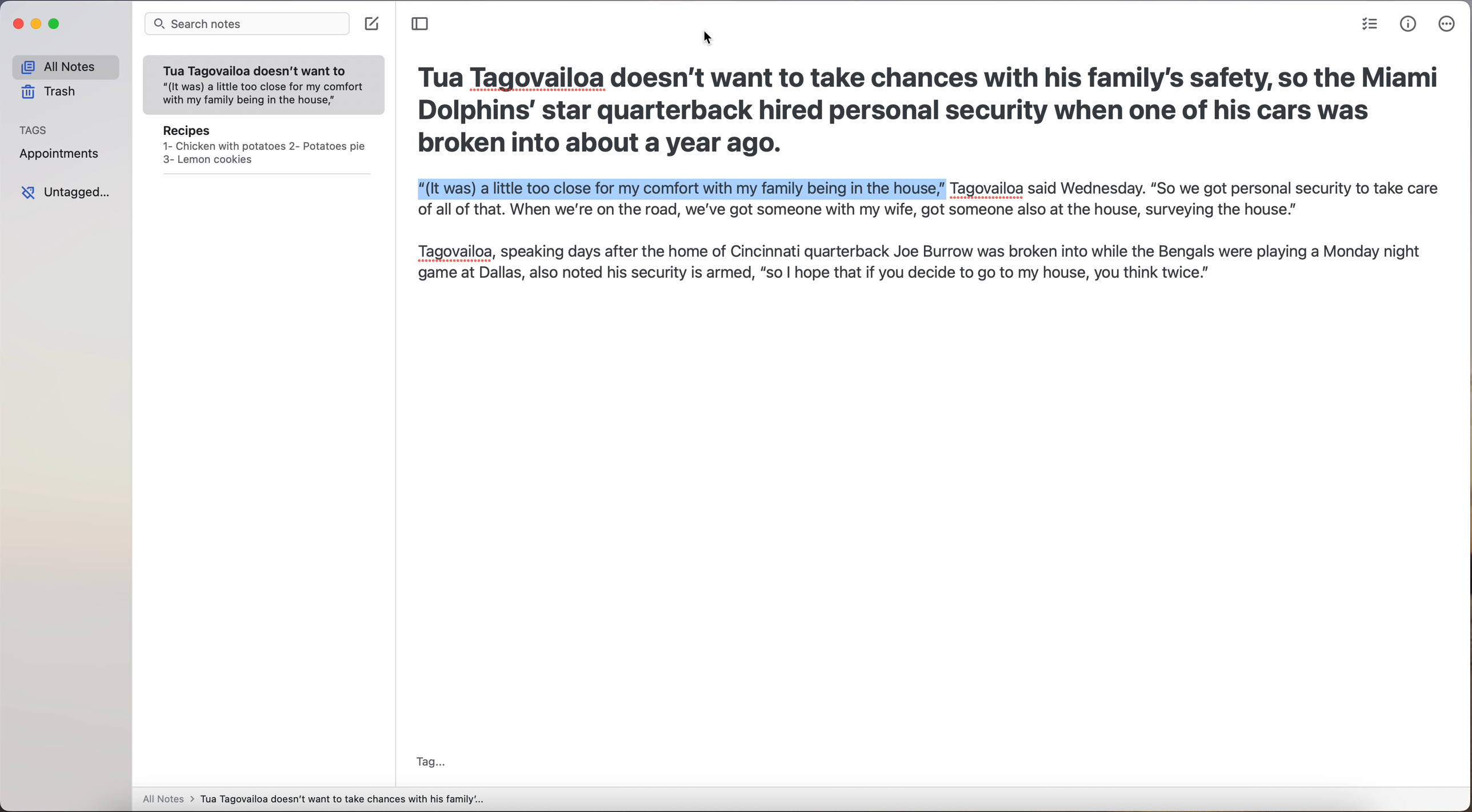  I want to click on Appointments tags, so click(60, 153).